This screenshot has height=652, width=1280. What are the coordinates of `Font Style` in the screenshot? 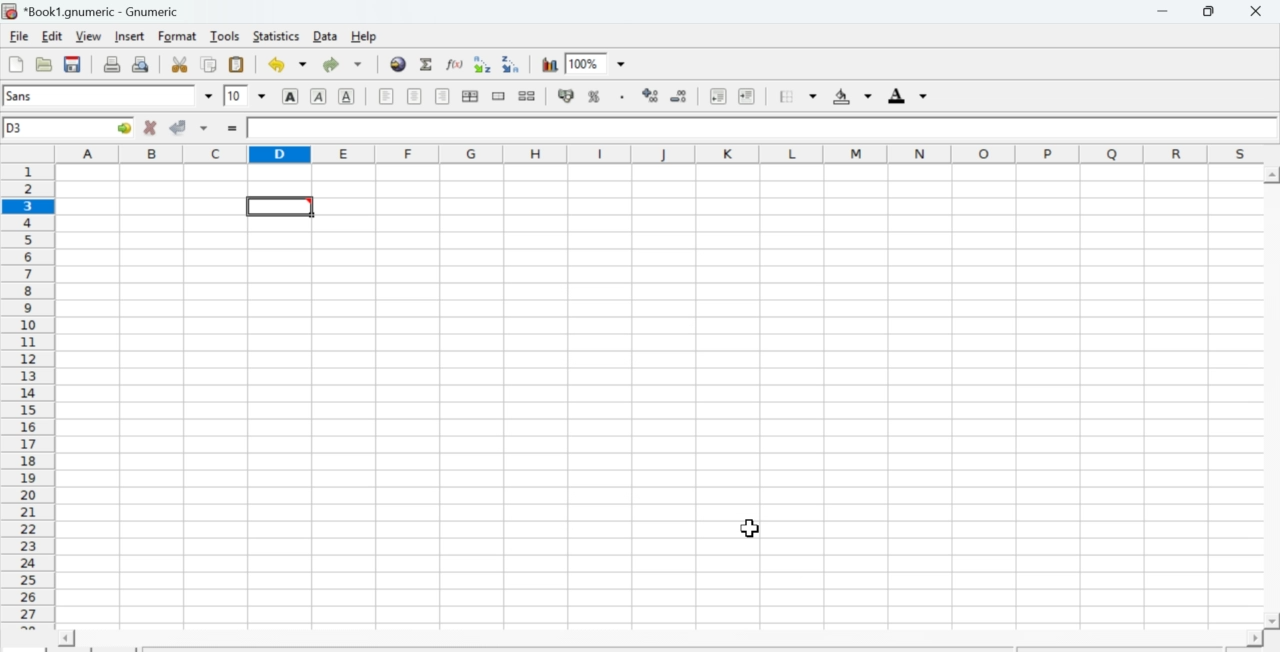 It's located at (100, 98).